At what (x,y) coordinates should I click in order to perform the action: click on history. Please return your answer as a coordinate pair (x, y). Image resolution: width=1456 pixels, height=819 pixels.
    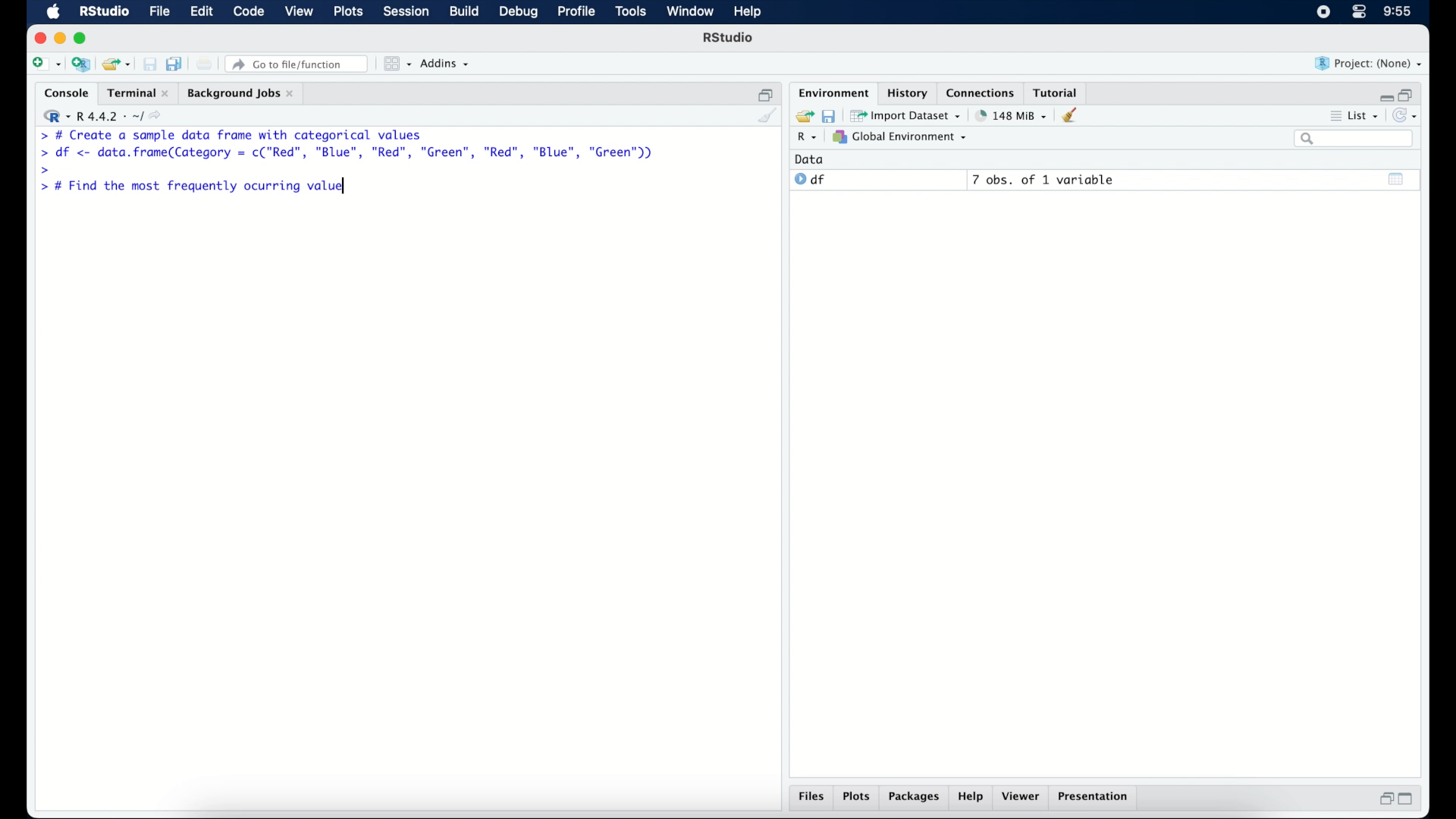
    Looking at the image, I should click on (909, 93).